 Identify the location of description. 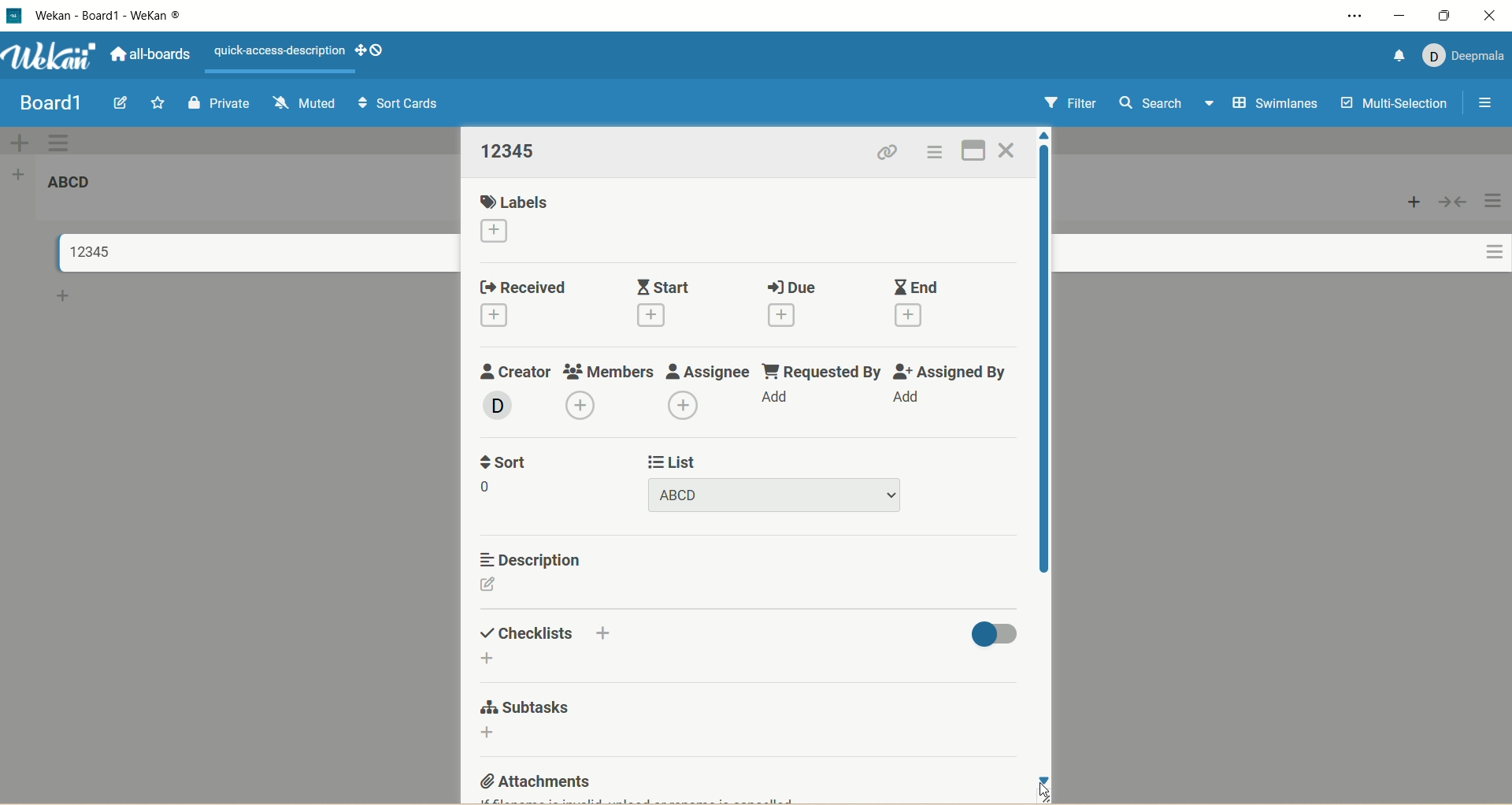
(528, 559).